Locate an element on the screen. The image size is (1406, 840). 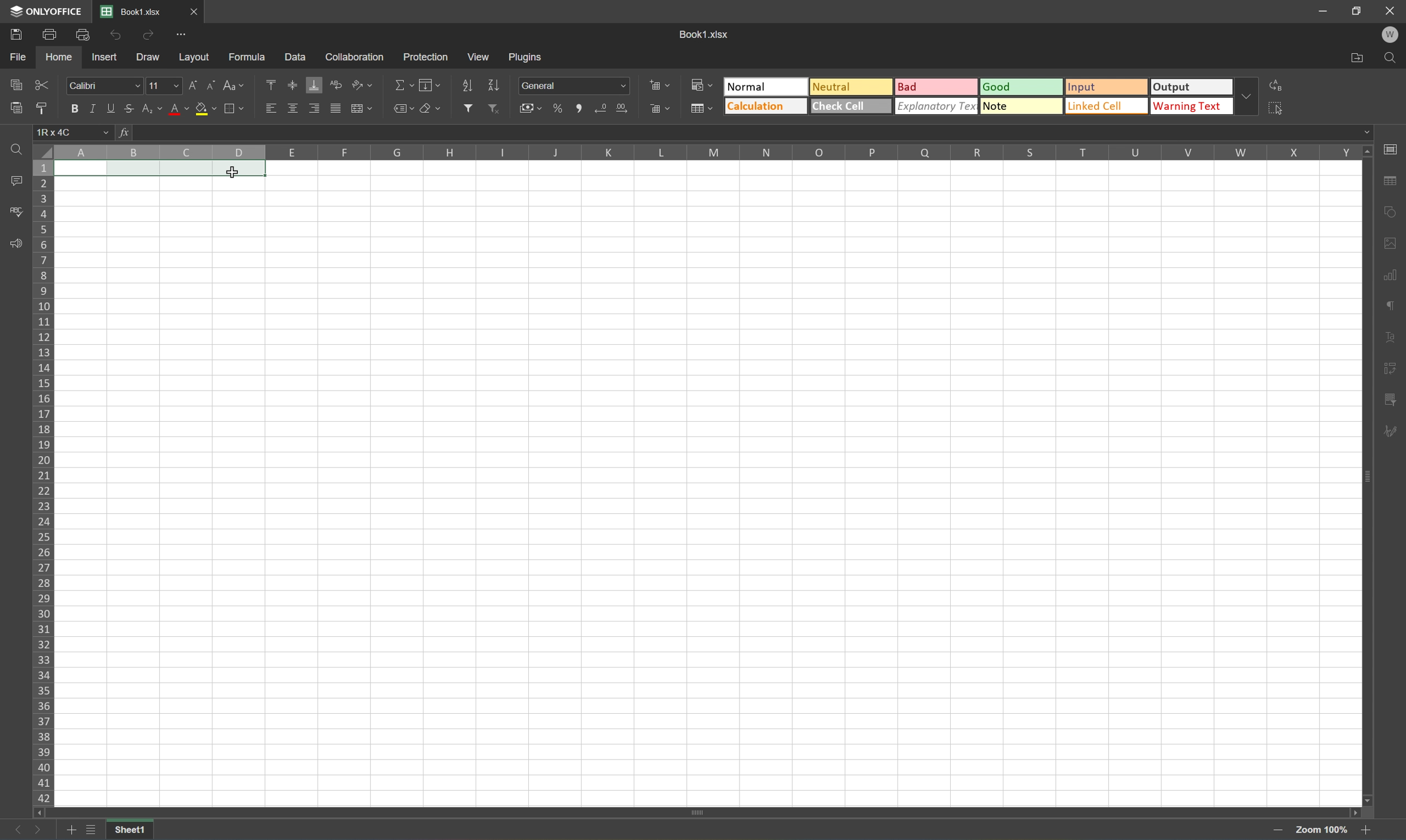
Conditional formatting is located at coordinates (702, 84).